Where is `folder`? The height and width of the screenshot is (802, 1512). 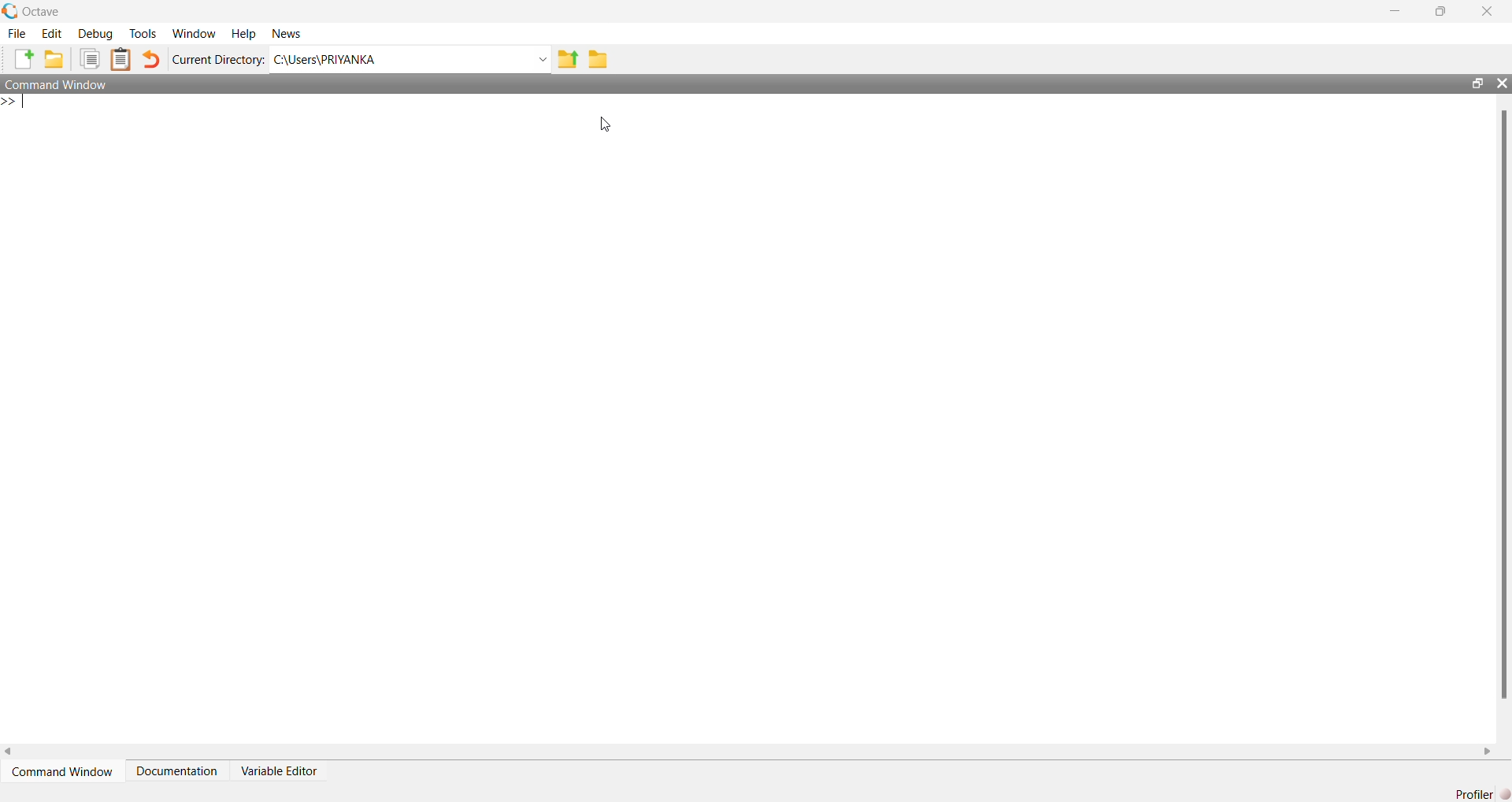
folder is located at coordinates (598, 59).